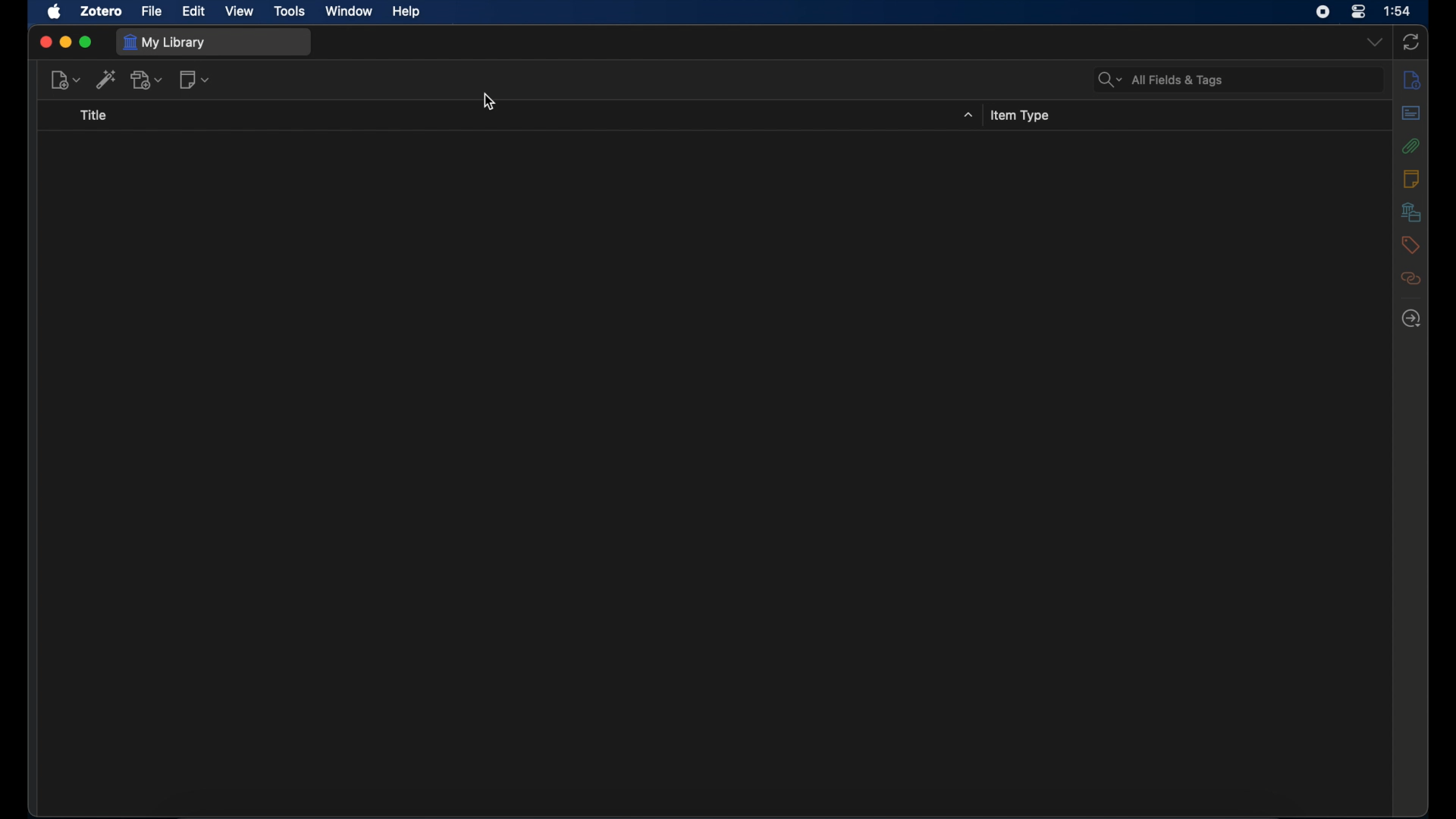 This screenshot has height=819, width=1456. What do you see at coordinates (194, 11) in the screenshot?
I see `edit` at bounding box center [194, 11].